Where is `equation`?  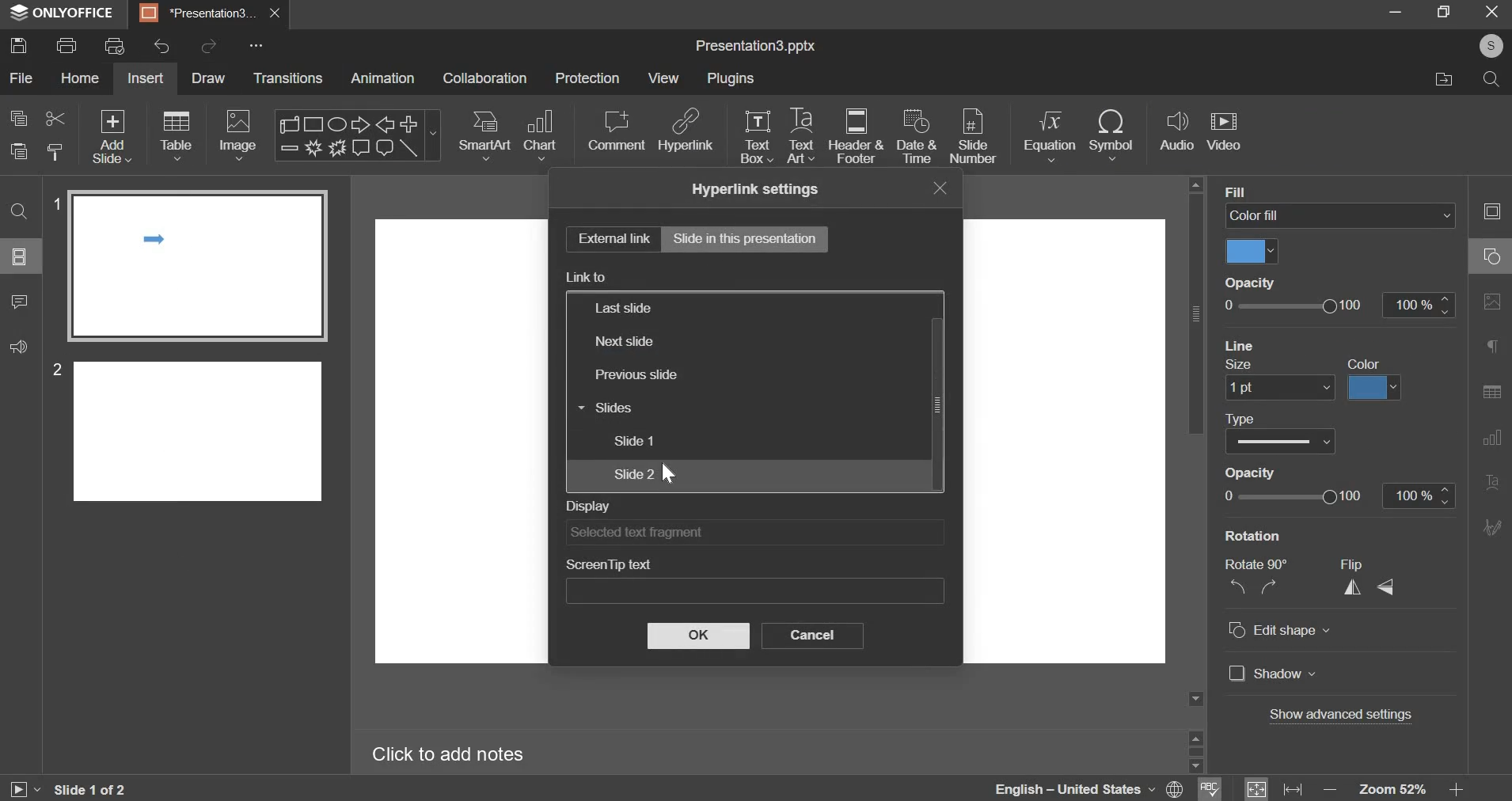
equation is located at coordinates (1049, 135).